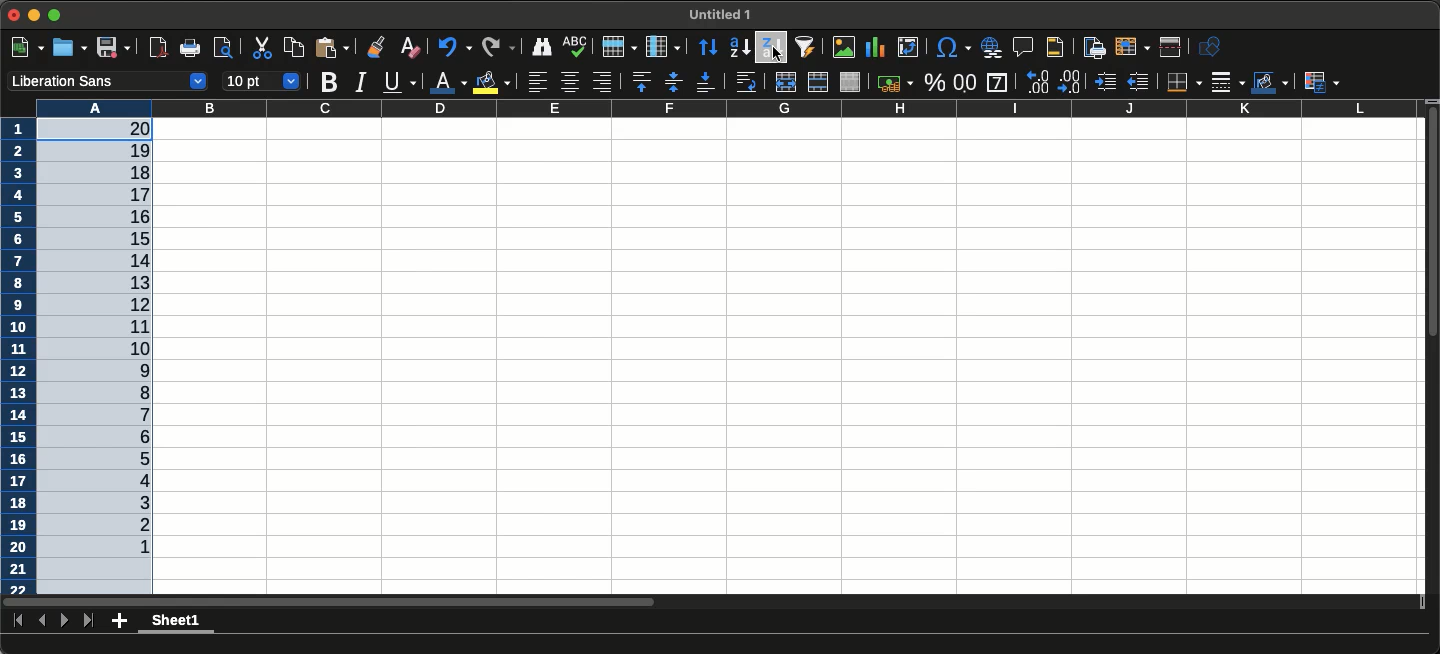 This screenshot has height=654, width=1440. What do you see at coordinates (332, 47) in the screenshot?
I see `Paste` at bounding box center [332, 47].